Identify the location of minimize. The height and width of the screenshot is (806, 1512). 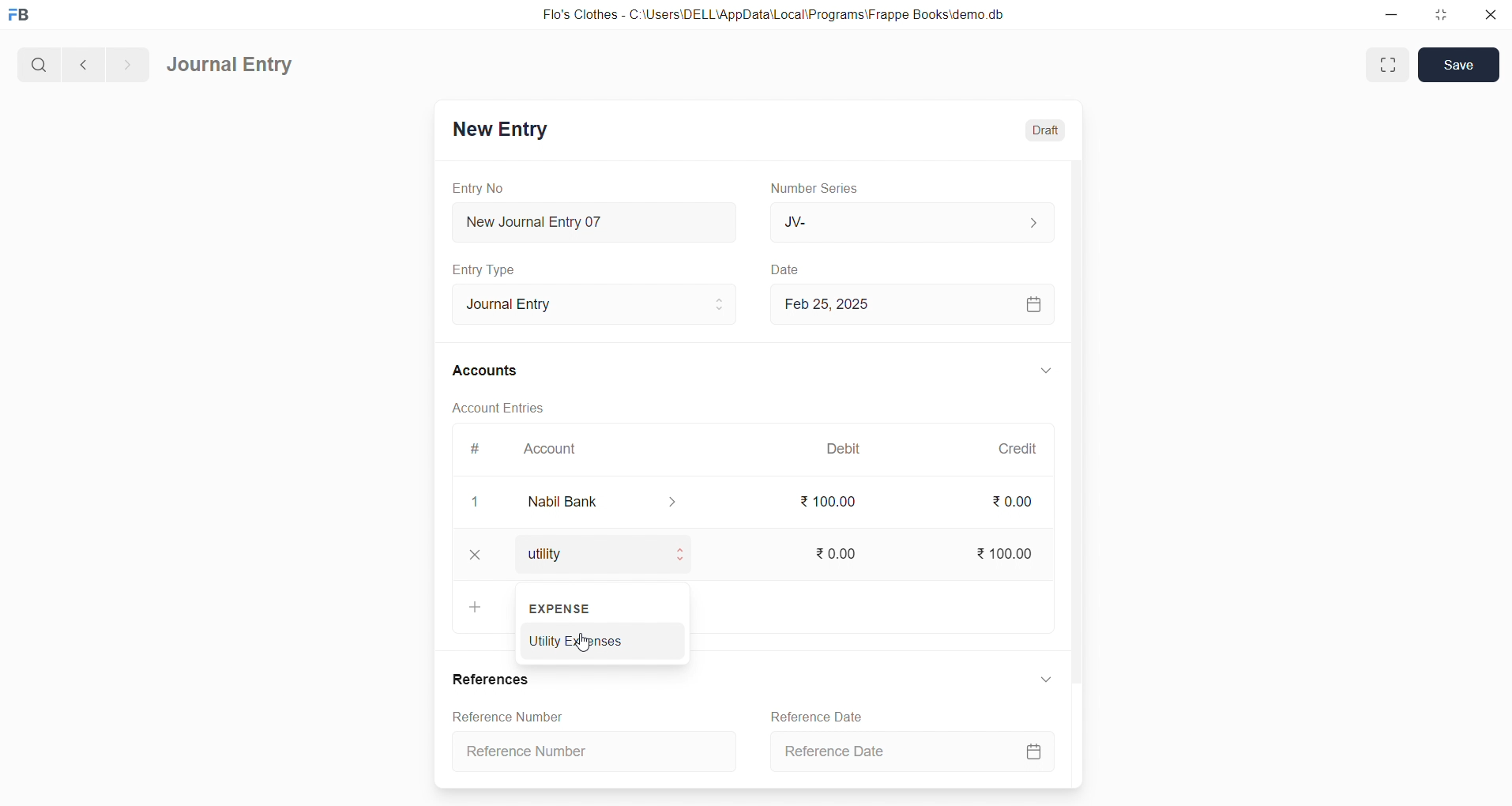
(1393, 16).